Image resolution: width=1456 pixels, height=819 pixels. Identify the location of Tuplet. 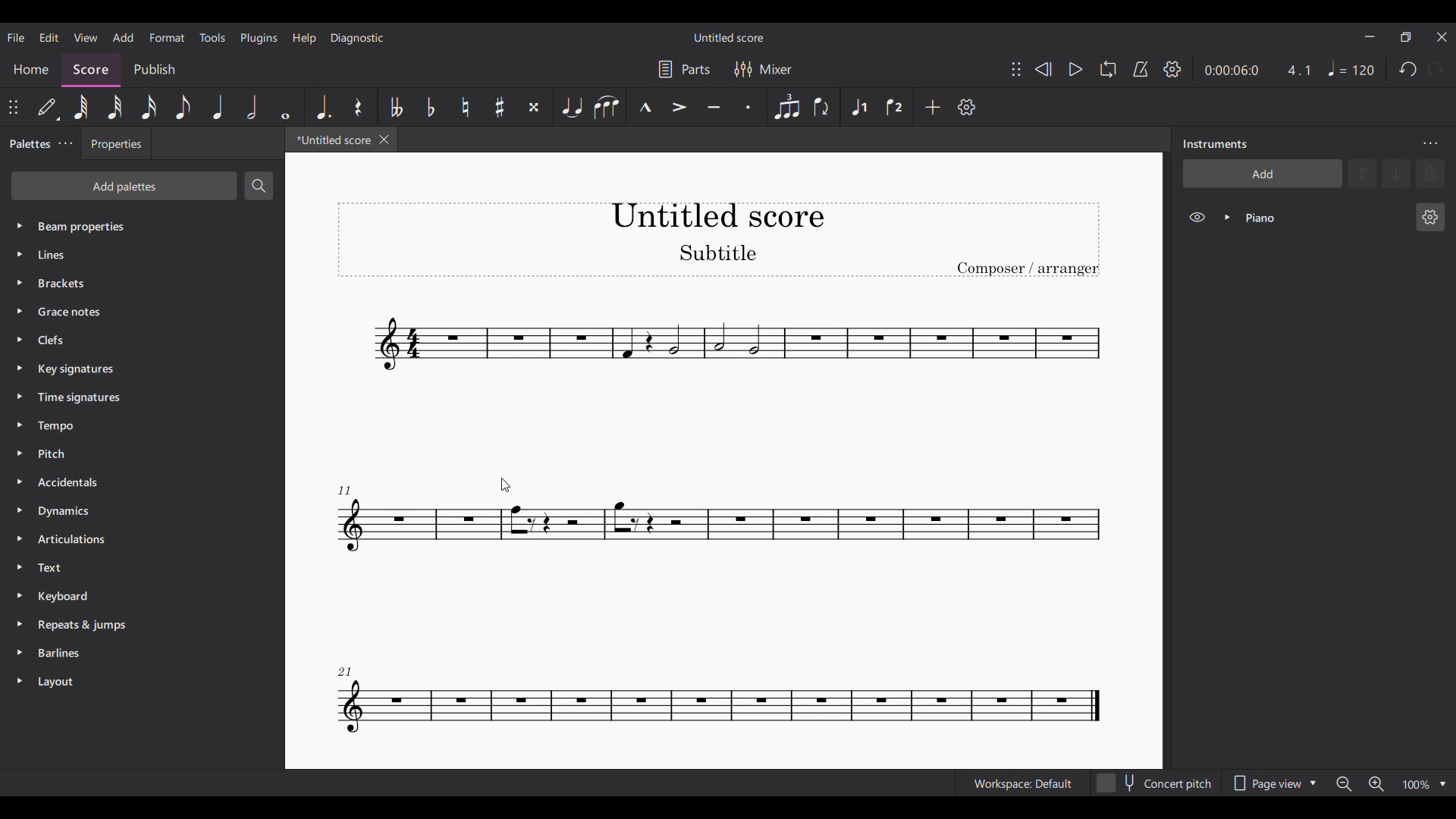
(787, 107).